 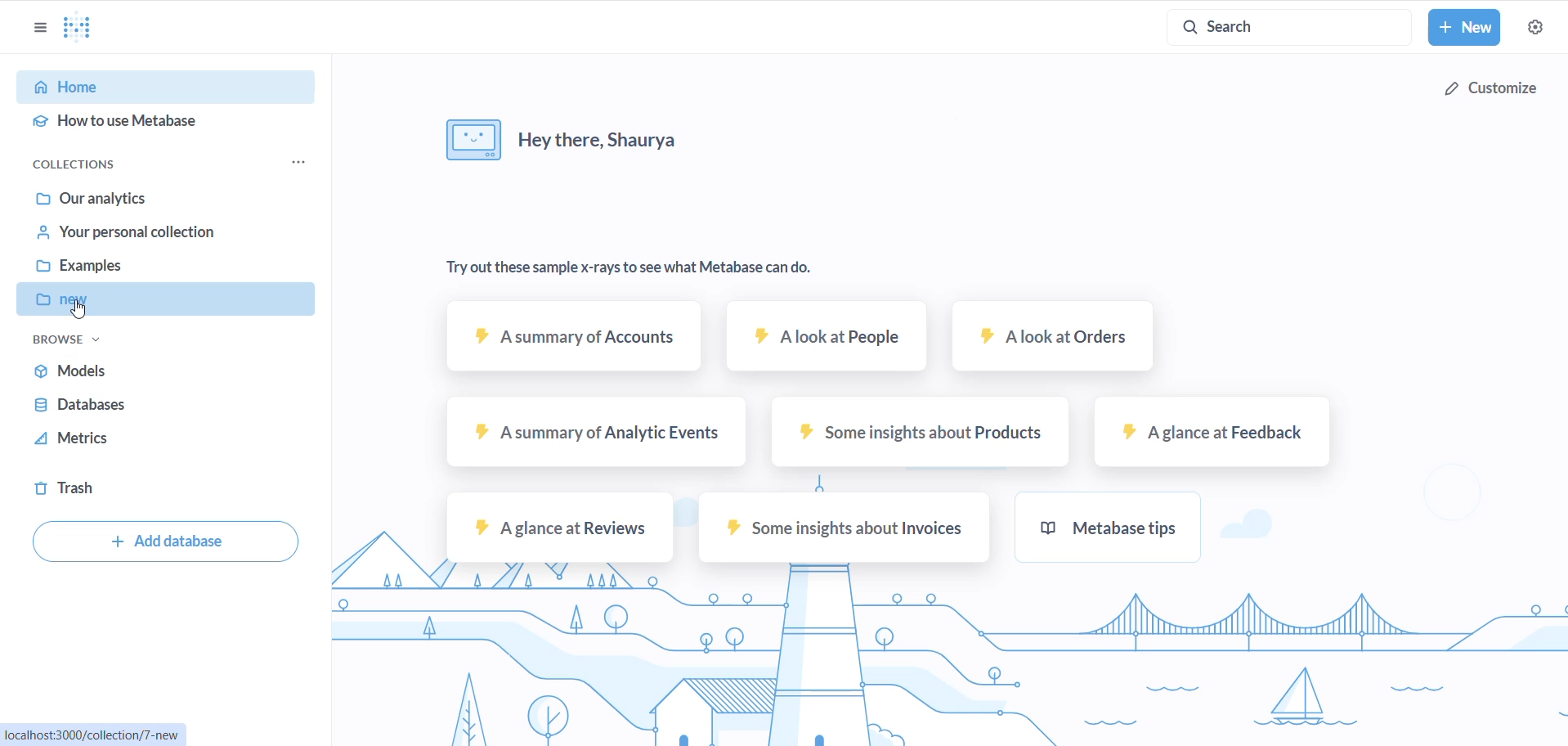 I want to click on some insights about products sample, so click(x=918, y=440).